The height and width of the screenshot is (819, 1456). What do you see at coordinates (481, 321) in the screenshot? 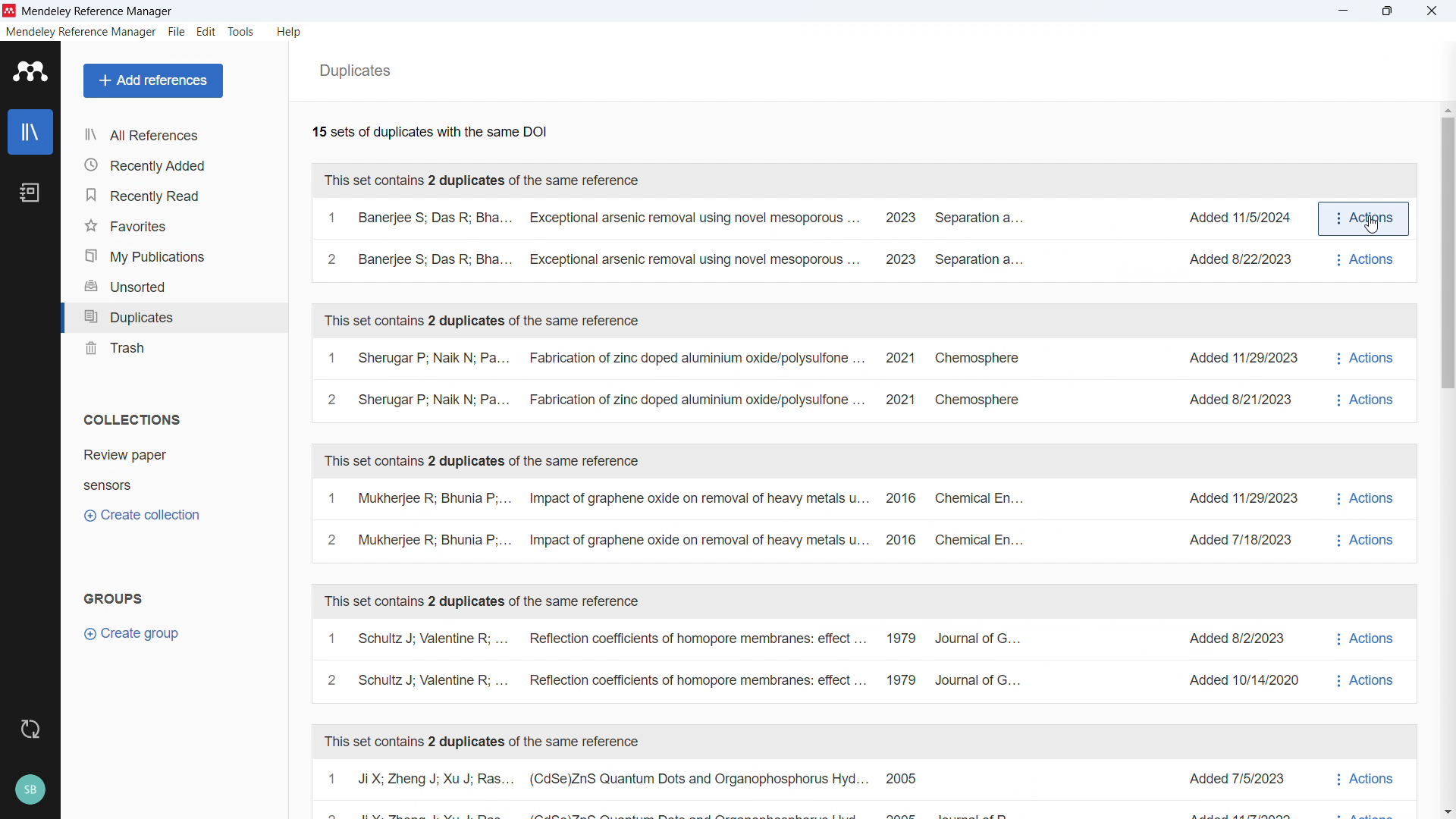
I see `This set contains two duplicates of the same reference` at bounding box center [481, 321].